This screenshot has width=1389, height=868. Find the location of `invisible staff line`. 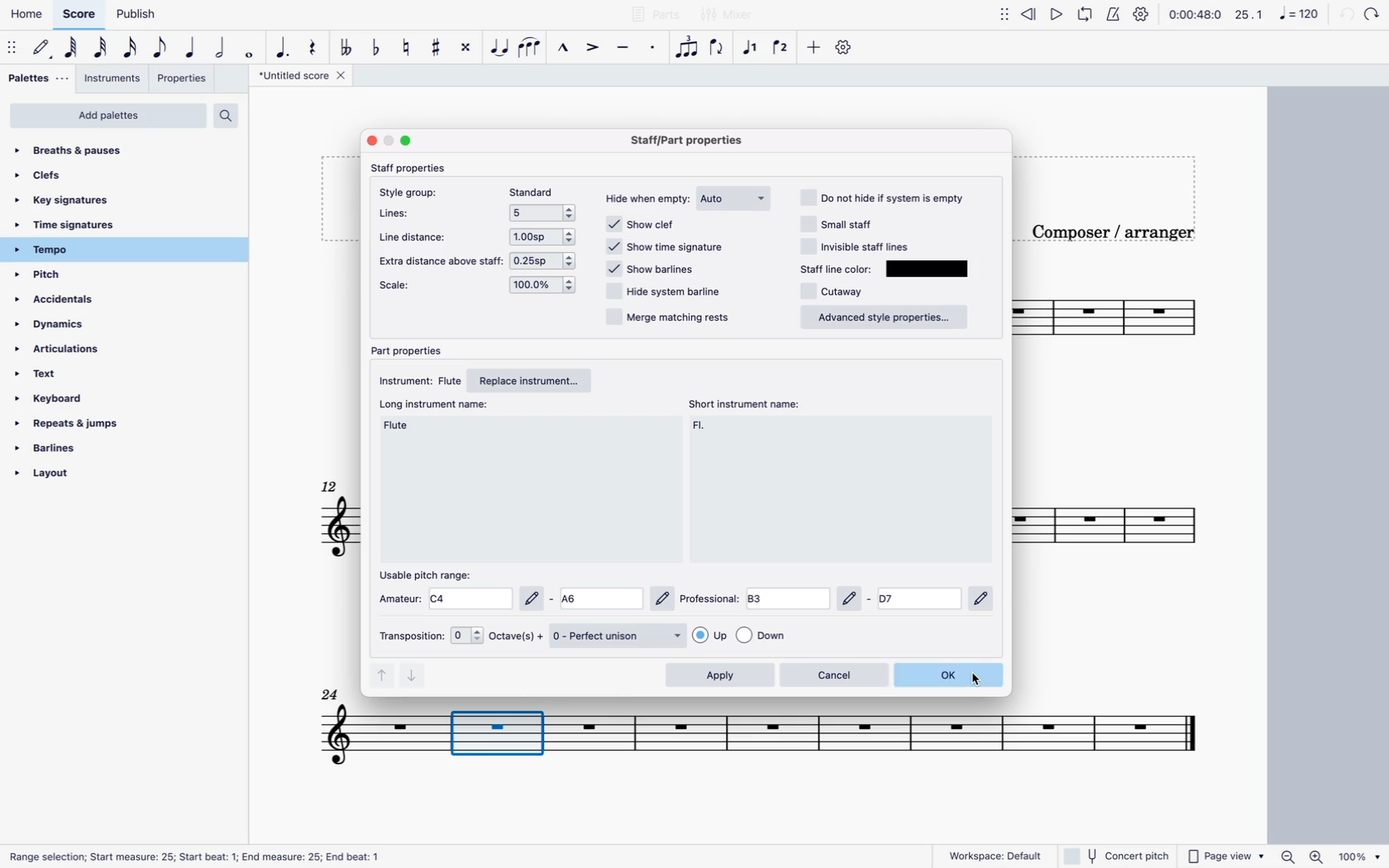

invisible staff line is located at coordinates (857, 246).